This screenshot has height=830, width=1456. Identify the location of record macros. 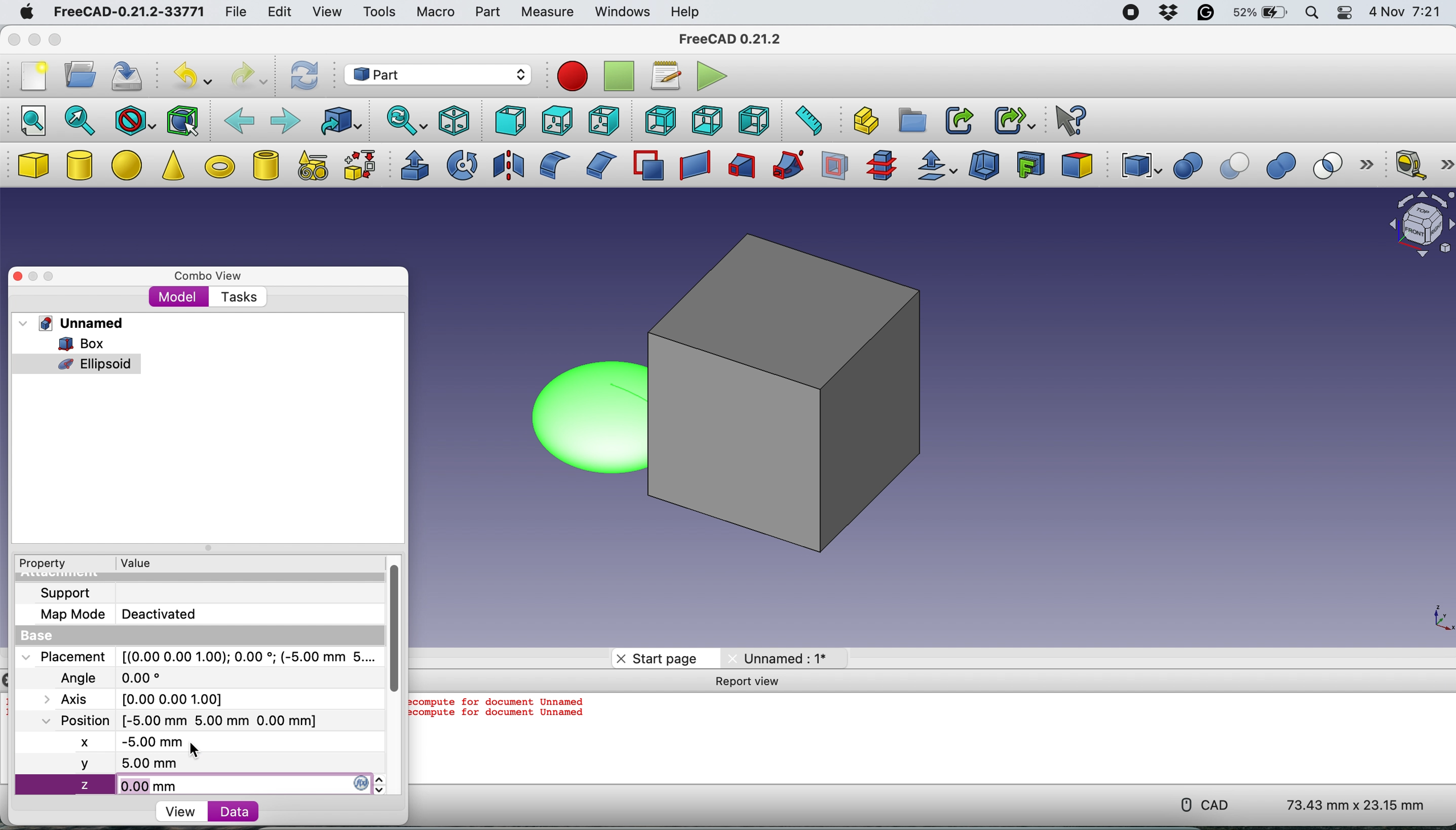
(572, 76).